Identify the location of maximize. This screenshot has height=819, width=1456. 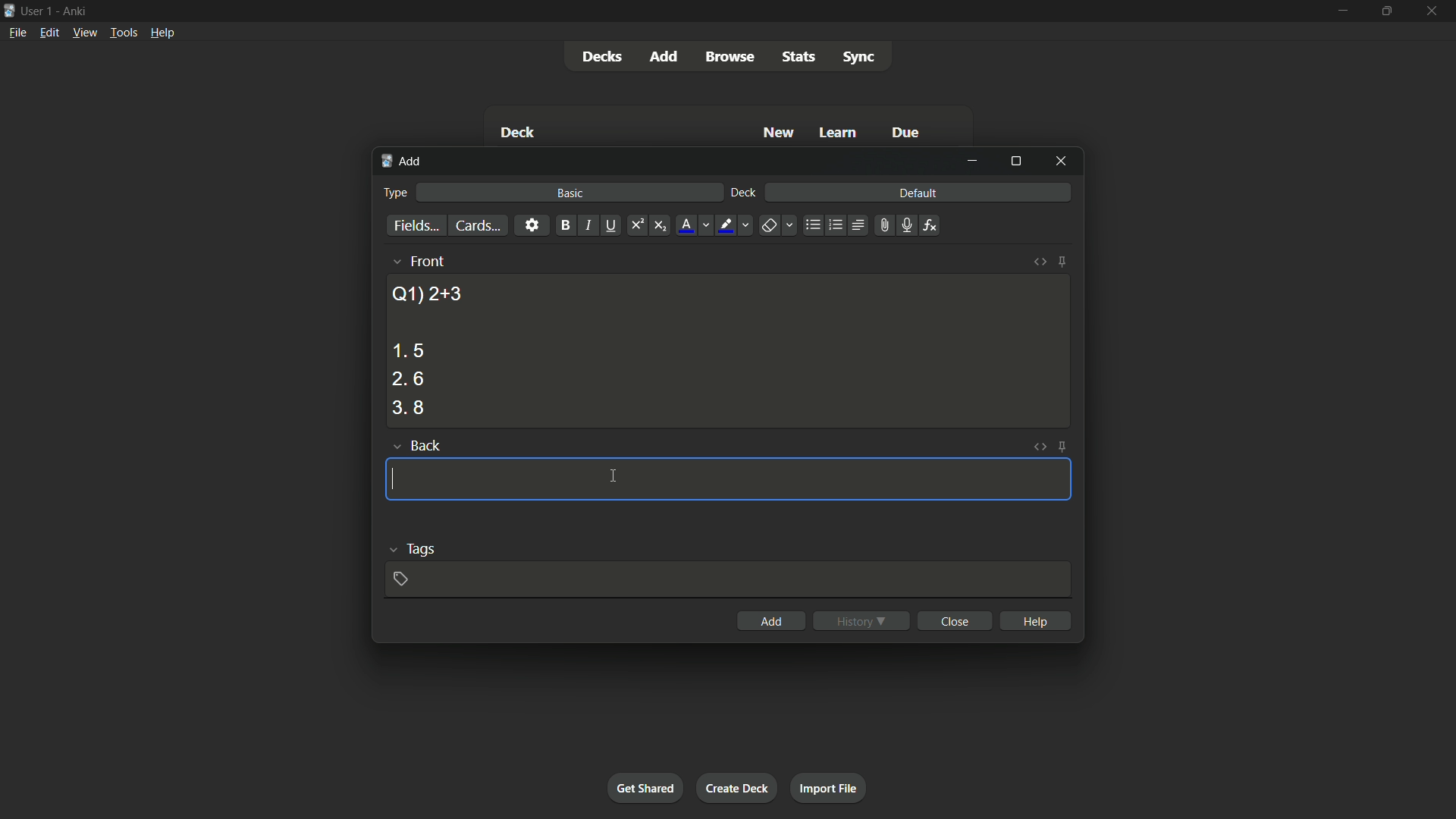
(1385, 11).